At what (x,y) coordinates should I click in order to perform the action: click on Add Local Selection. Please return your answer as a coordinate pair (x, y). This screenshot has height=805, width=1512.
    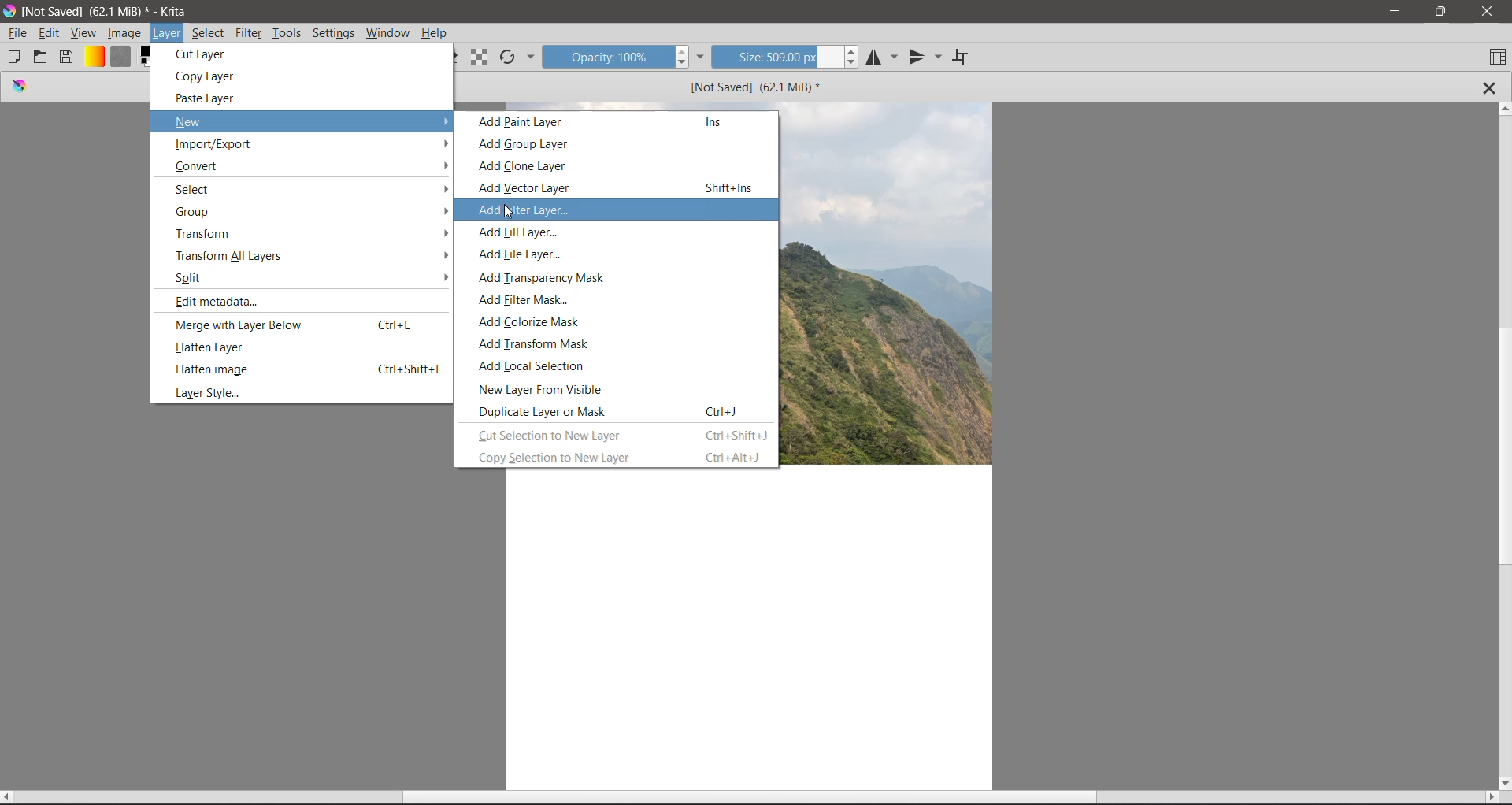
    Looking at the image, I should click on (538, 365).